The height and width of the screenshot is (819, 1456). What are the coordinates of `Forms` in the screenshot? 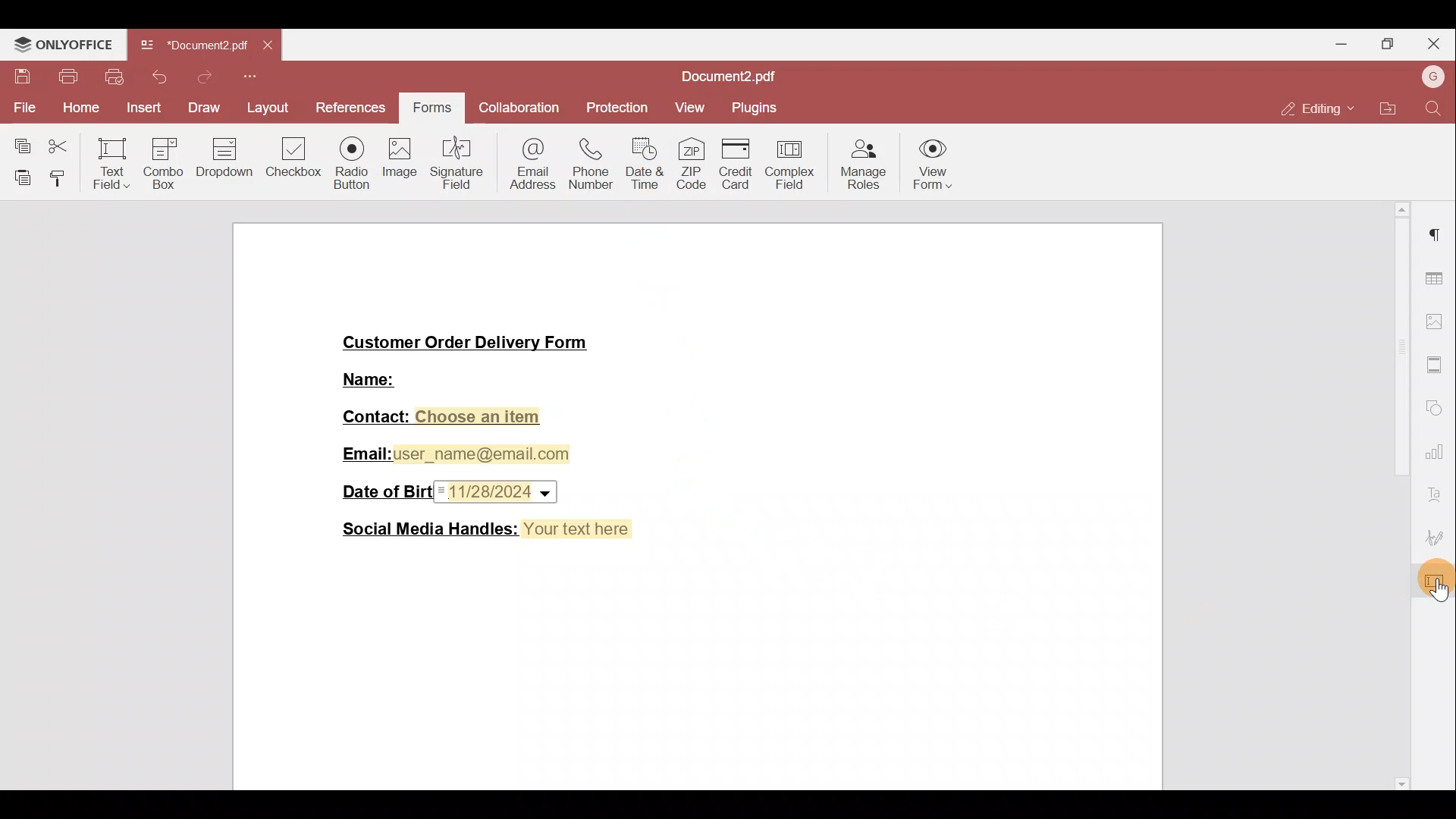 It's located at (430, 109).